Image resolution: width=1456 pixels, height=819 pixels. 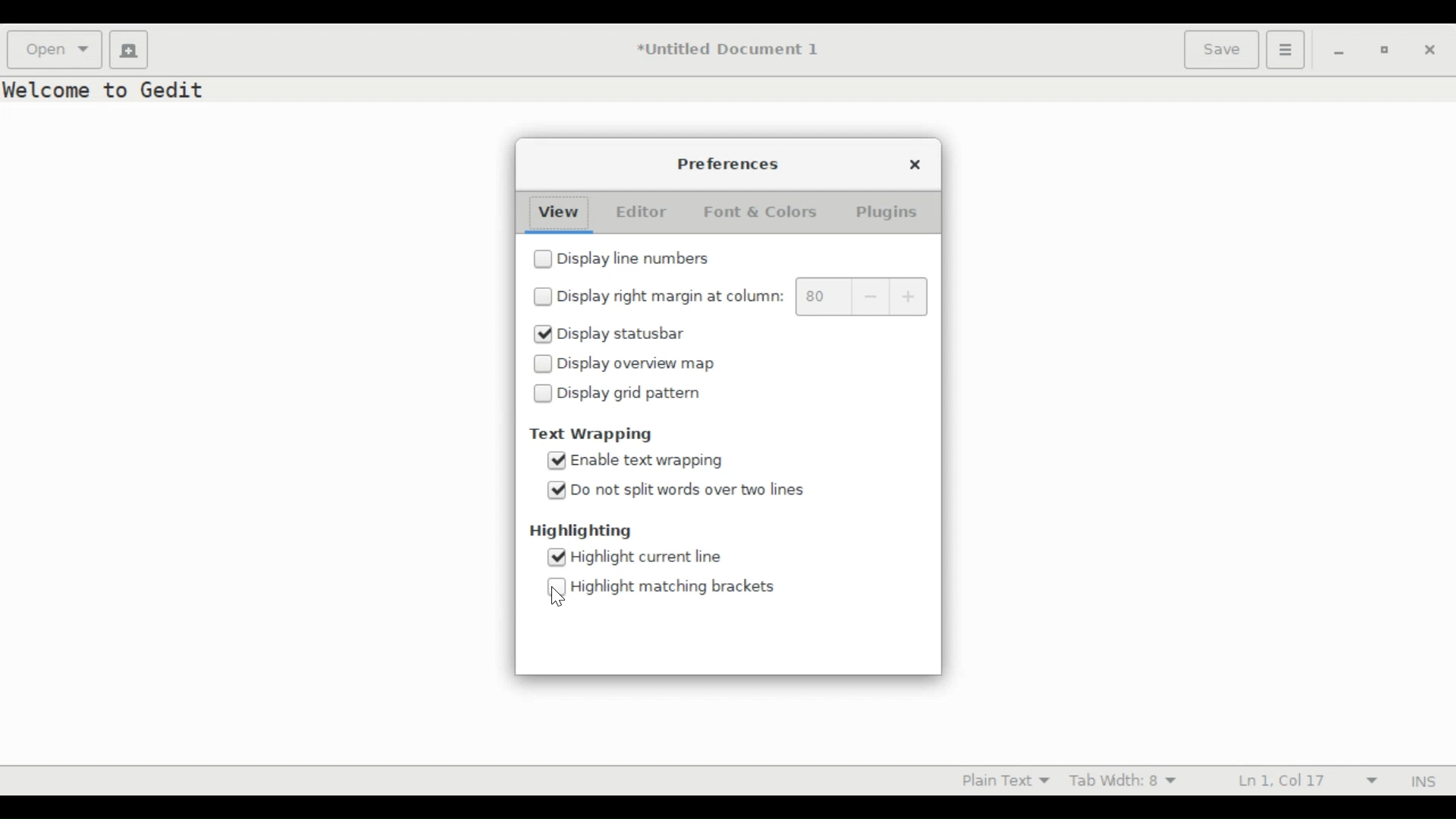 I want to click on Text Wrapping, so click(x=592, y=435).